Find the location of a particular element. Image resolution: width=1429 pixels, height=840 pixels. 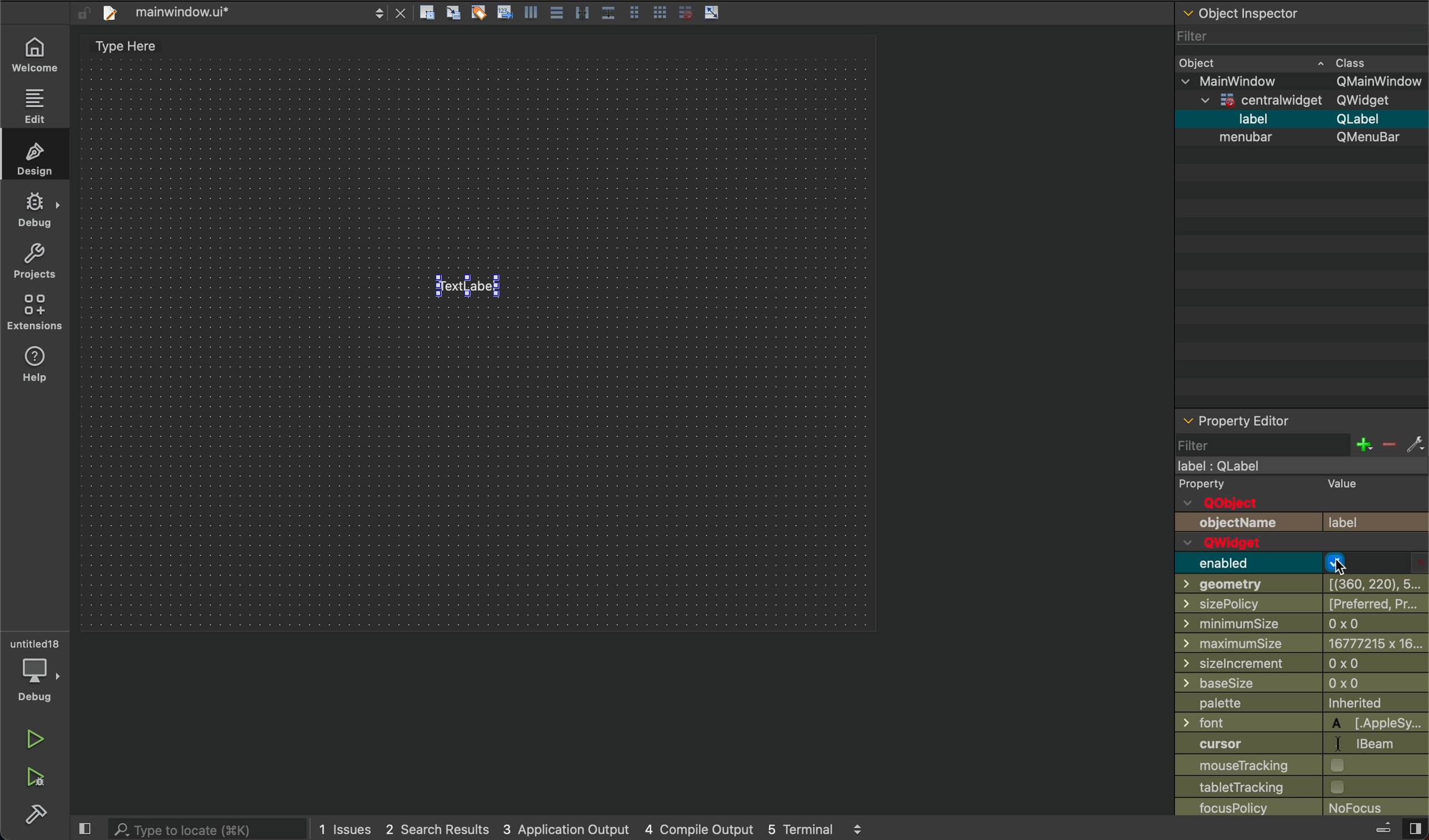

close slide bar is located at coordinates (88, 829).